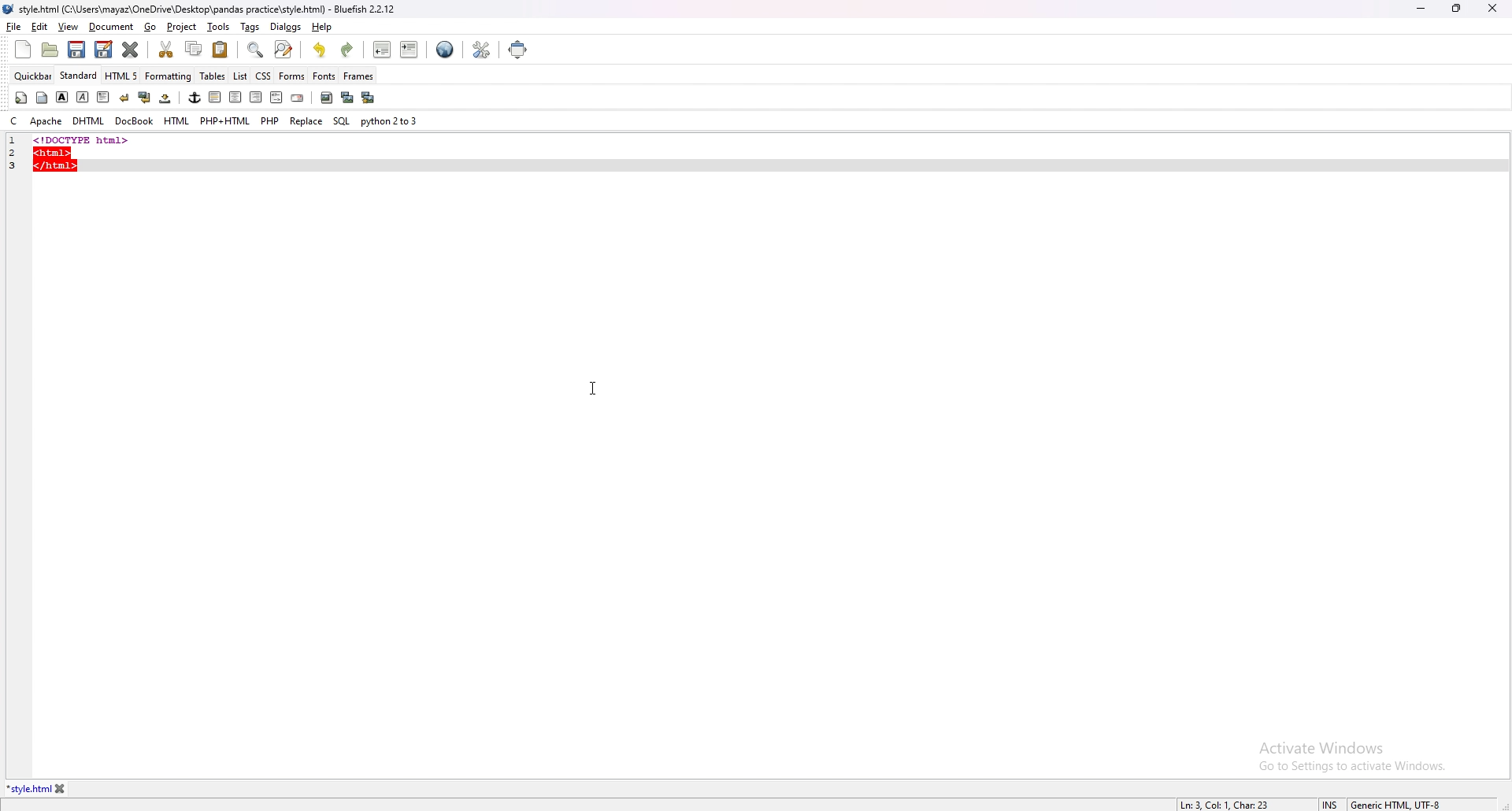  I want to click on close tab, so click(61, 789).